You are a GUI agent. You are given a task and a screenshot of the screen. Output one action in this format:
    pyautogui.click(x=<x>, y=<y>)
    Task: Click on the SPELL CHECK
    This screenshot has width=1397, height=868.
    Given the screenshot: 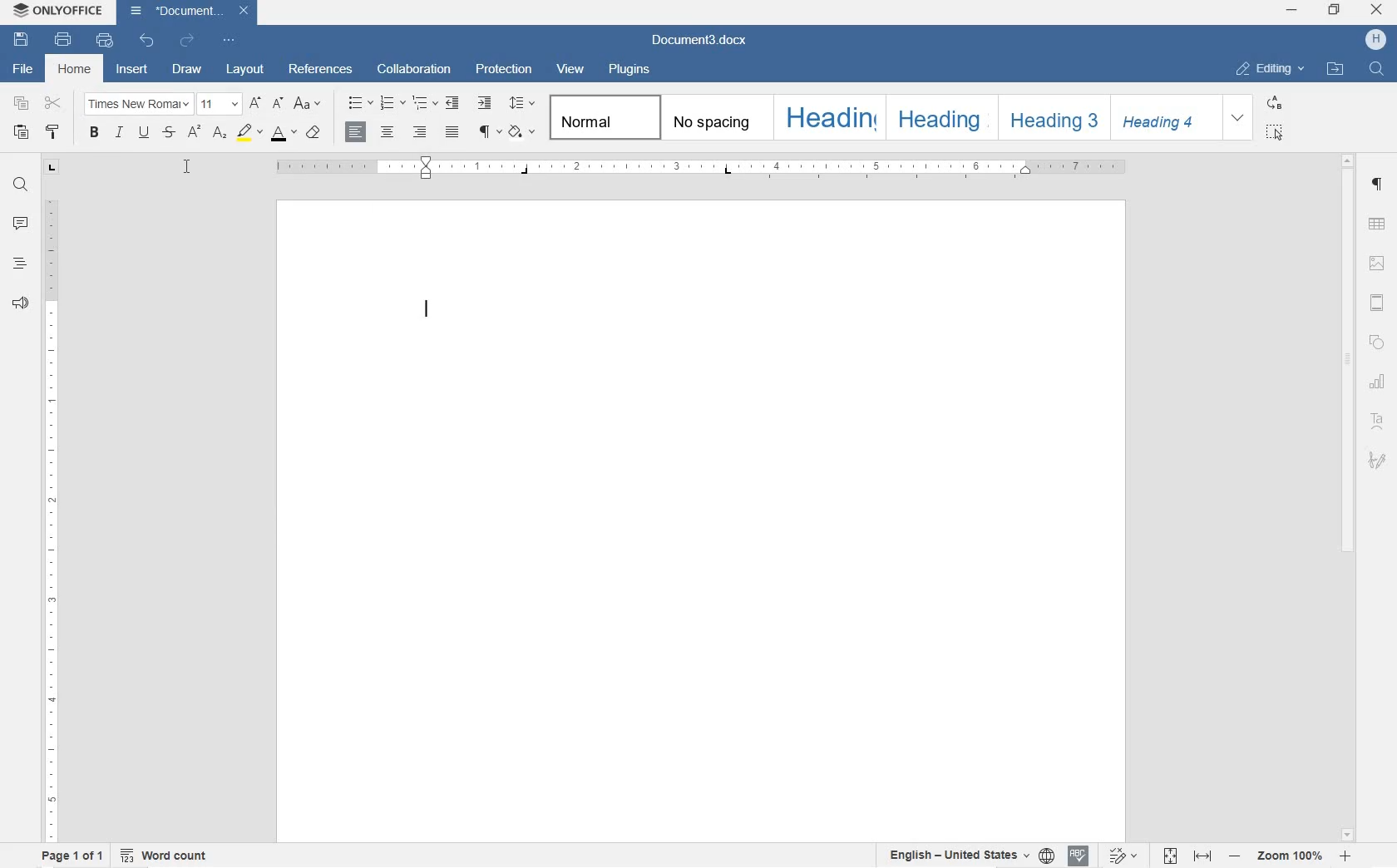 What is the action you would take?
    pyautogui.click(x=1079, y=856)
    